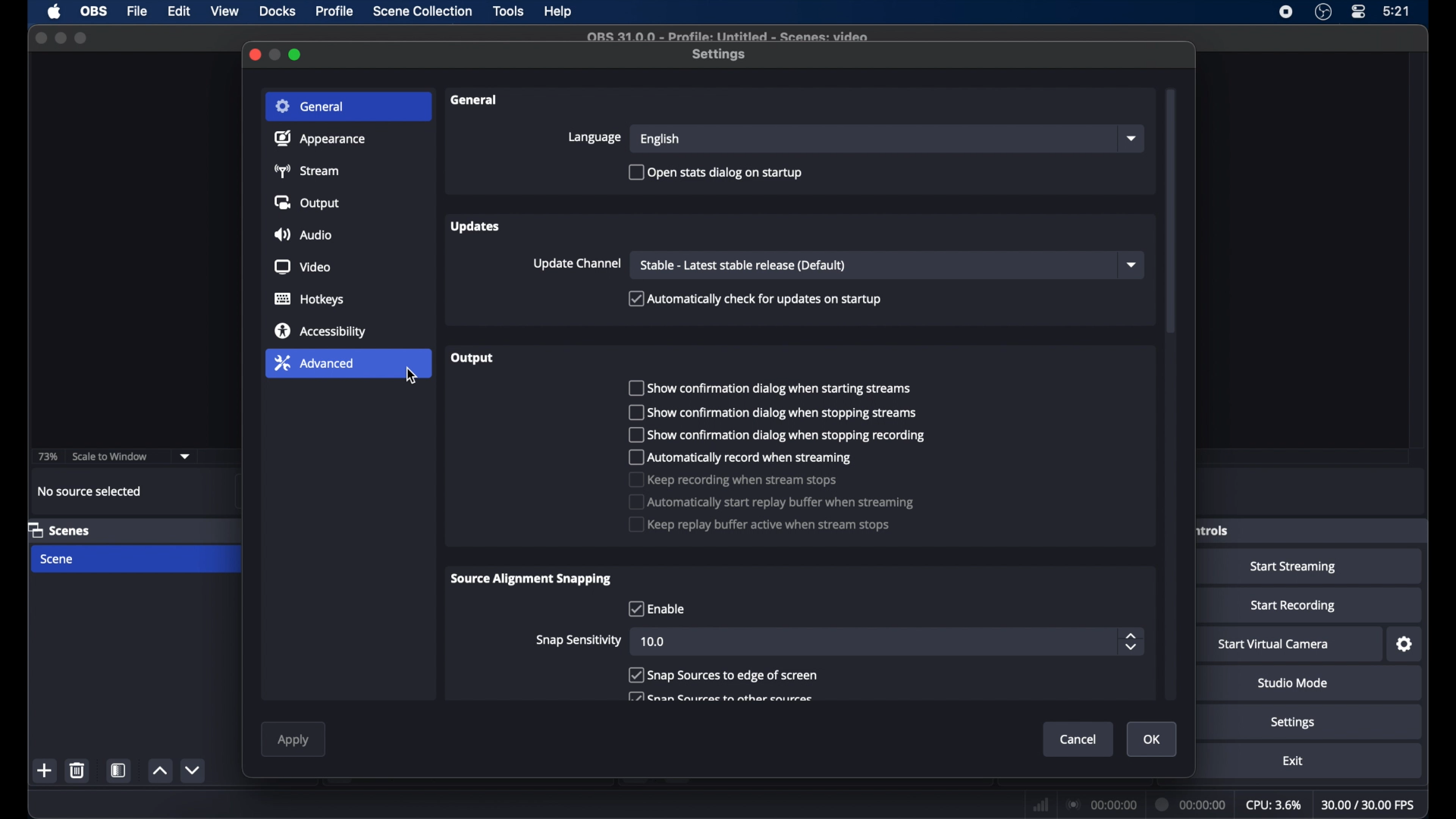 The image size is (1456, 819). I want to click on scene collection, so click(422, 12).